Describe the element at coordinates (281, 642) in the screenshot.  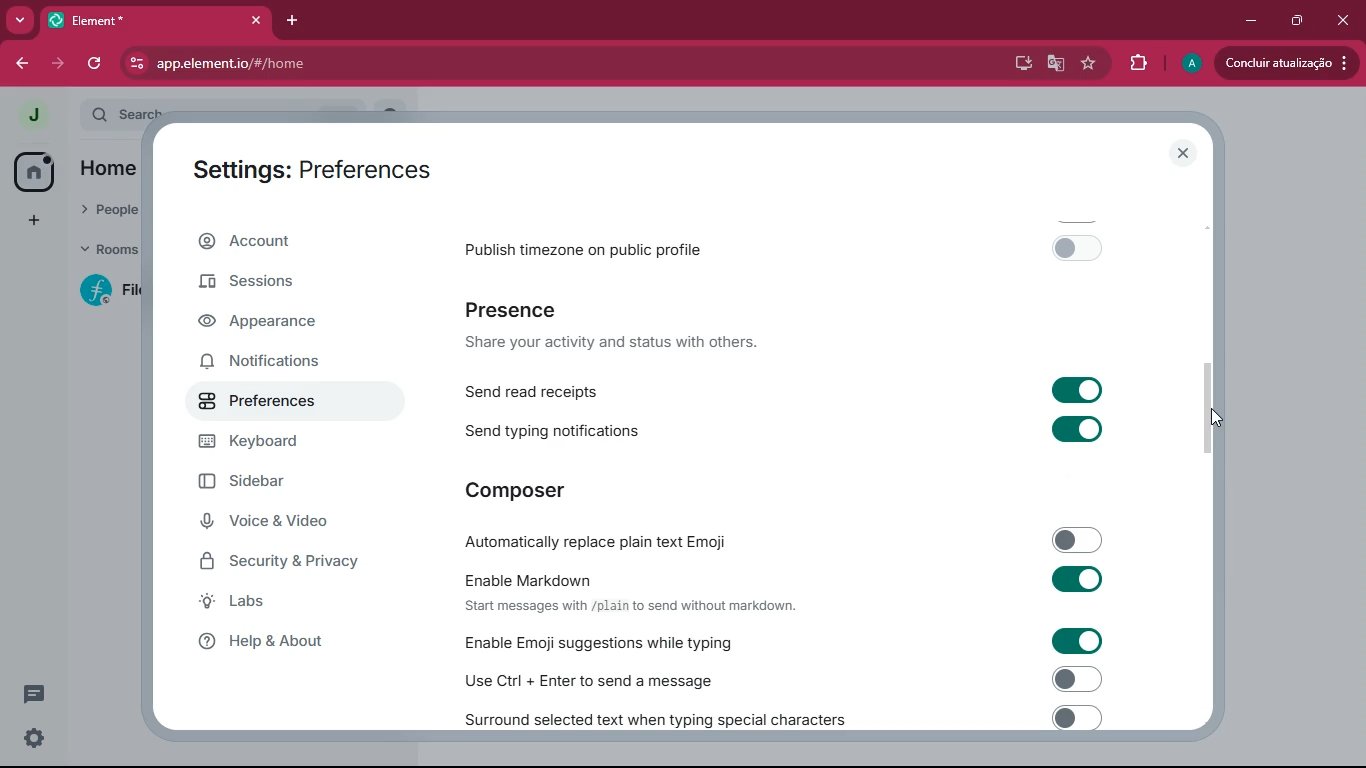
I see `help` at that location.